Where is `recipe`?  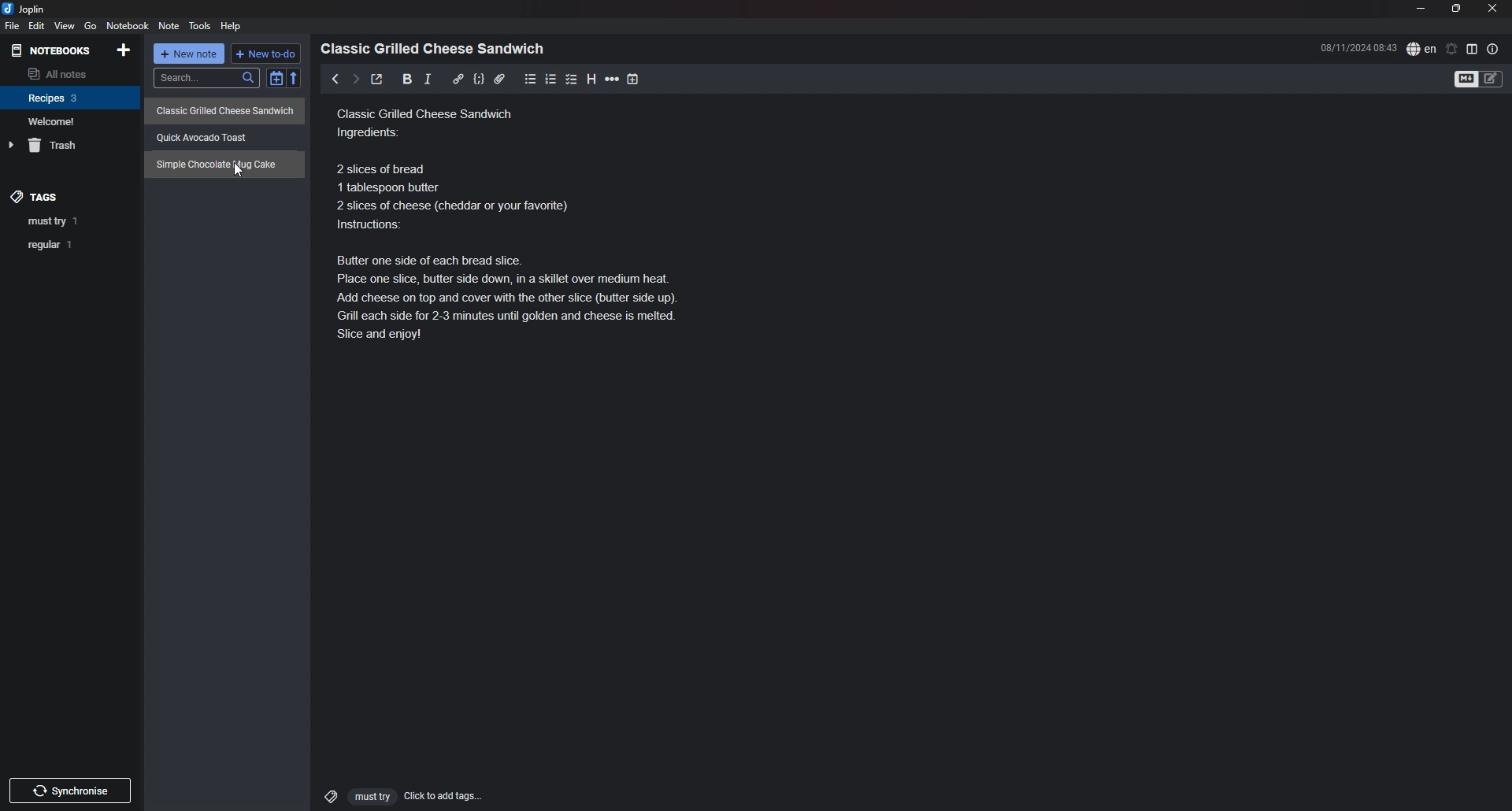
recipe is located at coordinates (223, 165).